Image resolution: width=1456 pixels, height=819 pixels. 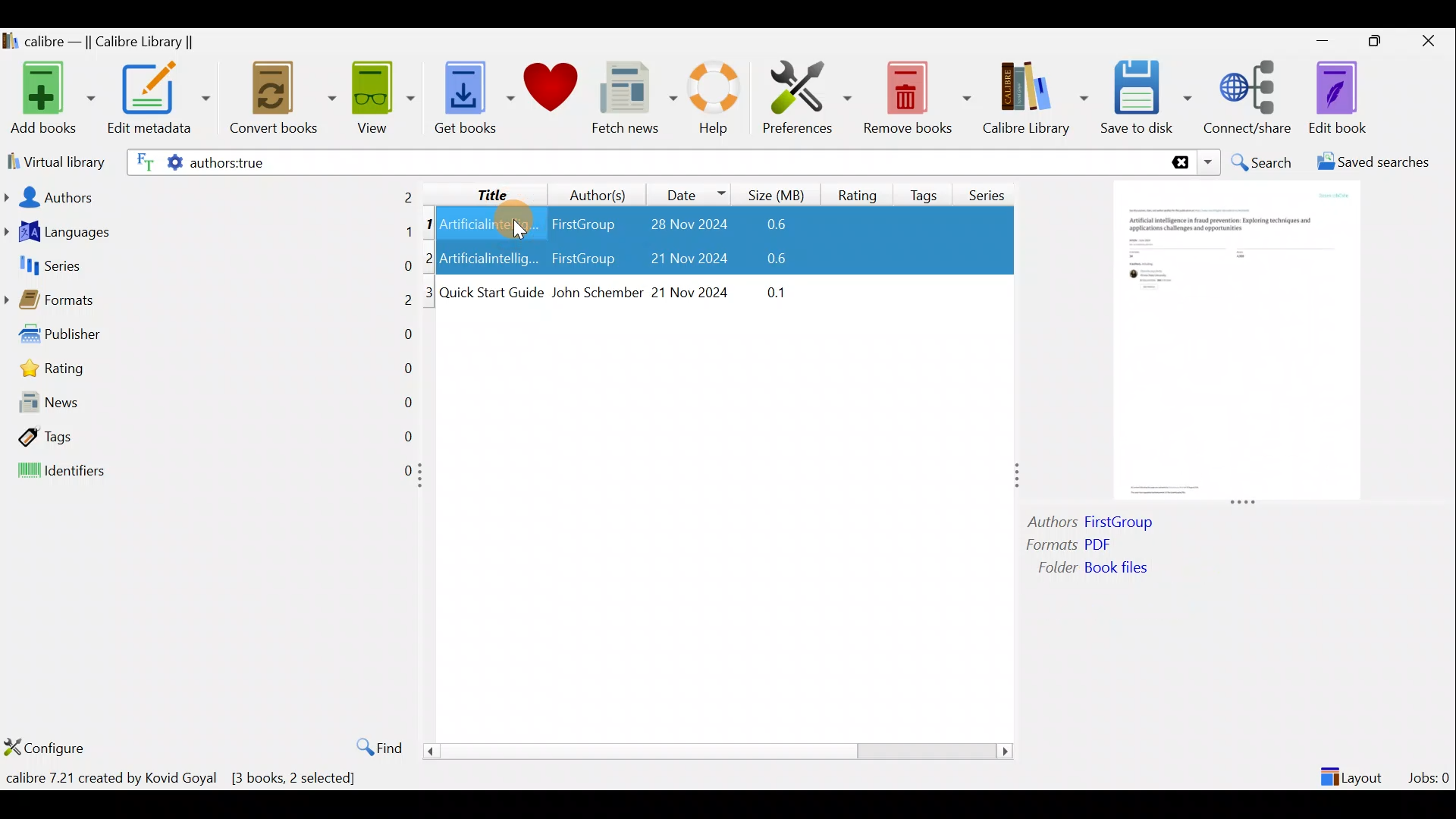 What do you see at coordinates (209, 435) in the screenshot?
I see `Tags` at bounding box center [209, 435].